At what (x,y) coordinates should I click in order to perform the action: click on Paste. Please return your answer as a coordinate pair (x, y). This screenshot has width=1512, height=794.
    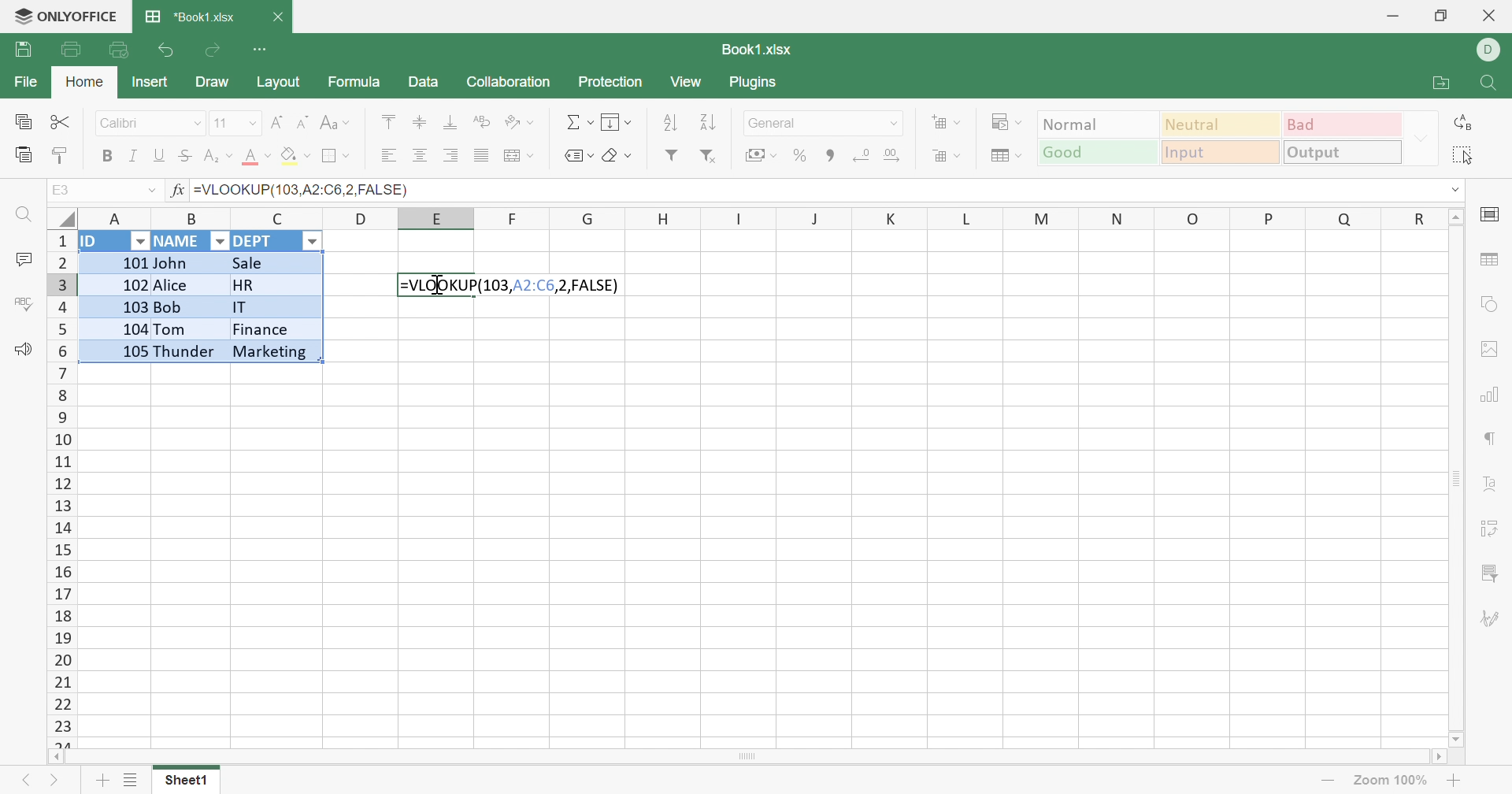
    Looking at the image, I should click on (22, 154).